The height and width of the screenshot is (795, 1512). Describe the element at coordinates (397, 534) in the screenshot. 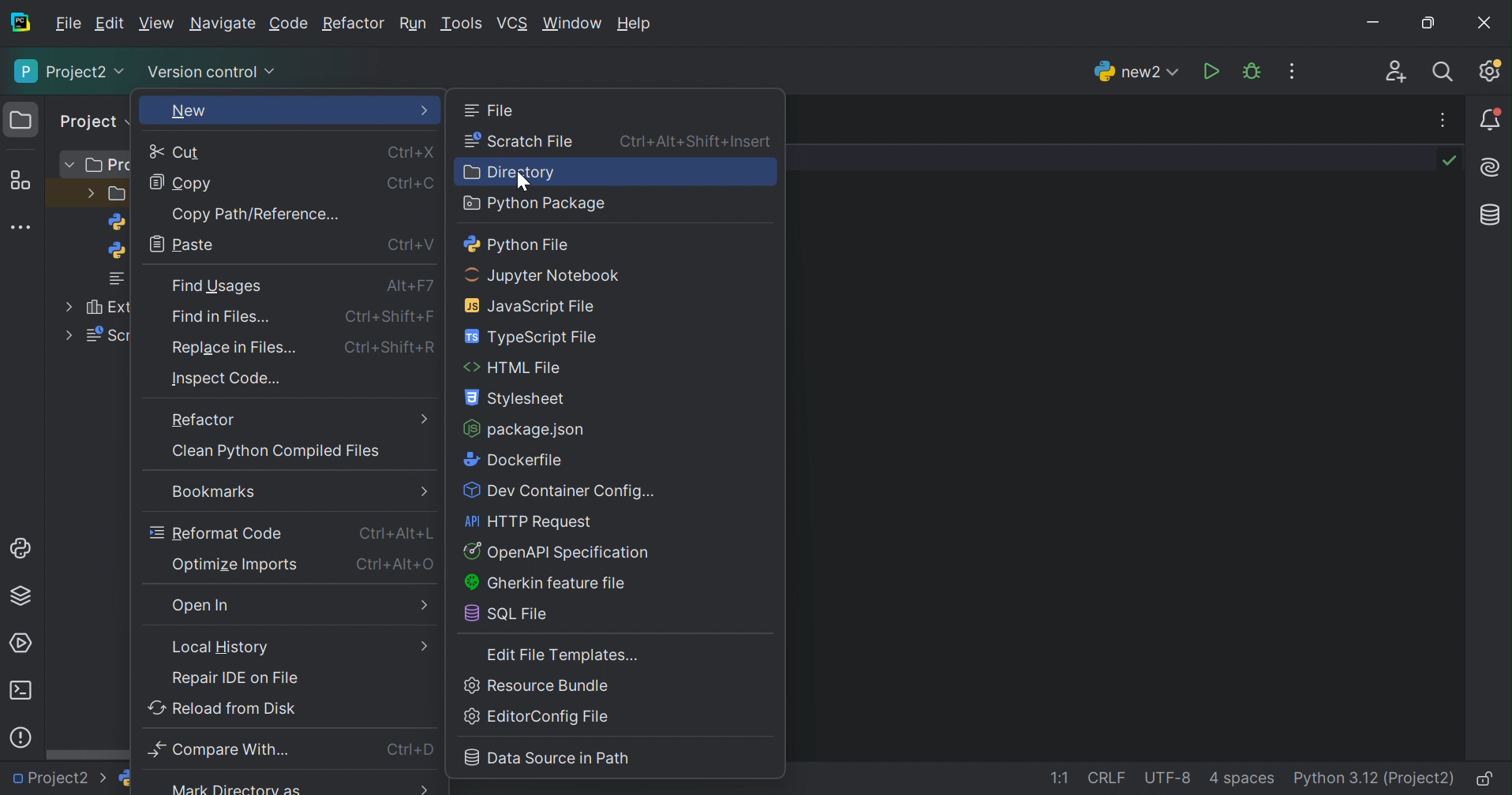

I see `Ctrl+Alt+L` at that location.